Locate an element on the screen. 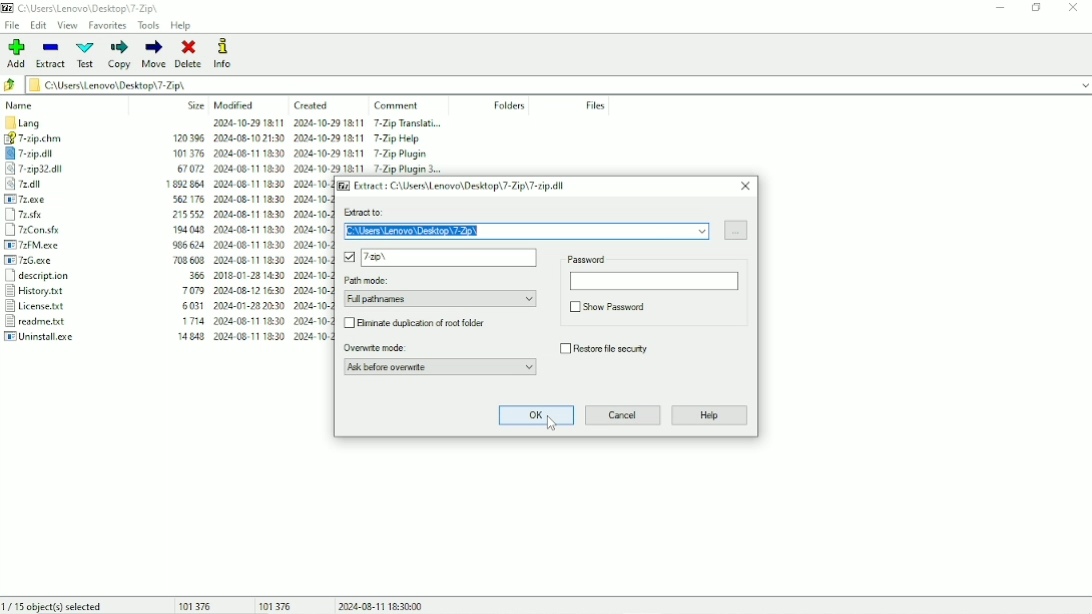 The image size is (1092, 614). 101376 2004-08-11 1230 2008-90-29 1811 7-Zip Plugin is located at coordinates (320, 152).